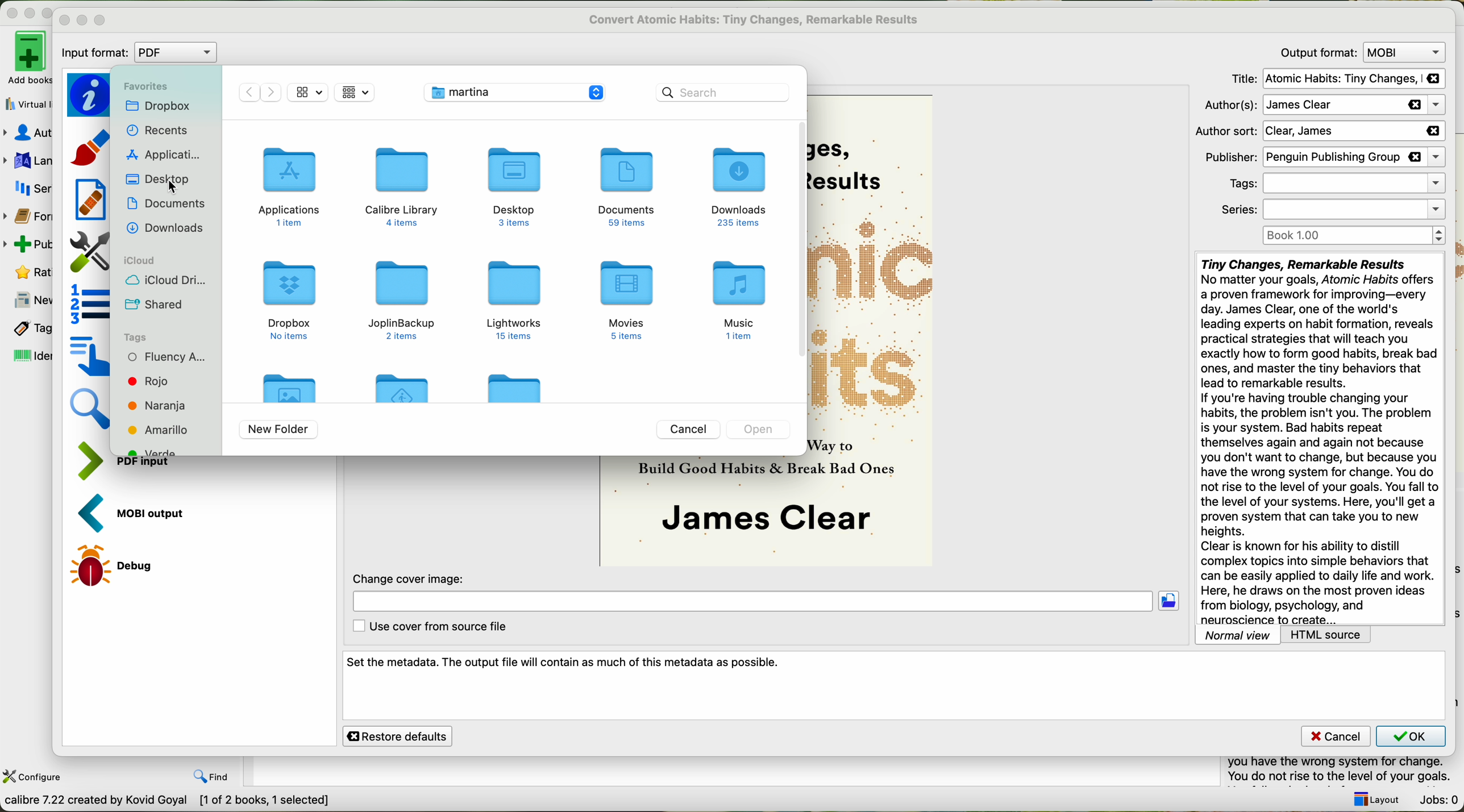  What do you see at coordinates (1238, 635) in the screenshot?
I see `normal view` at bounding box center [1238, 635].